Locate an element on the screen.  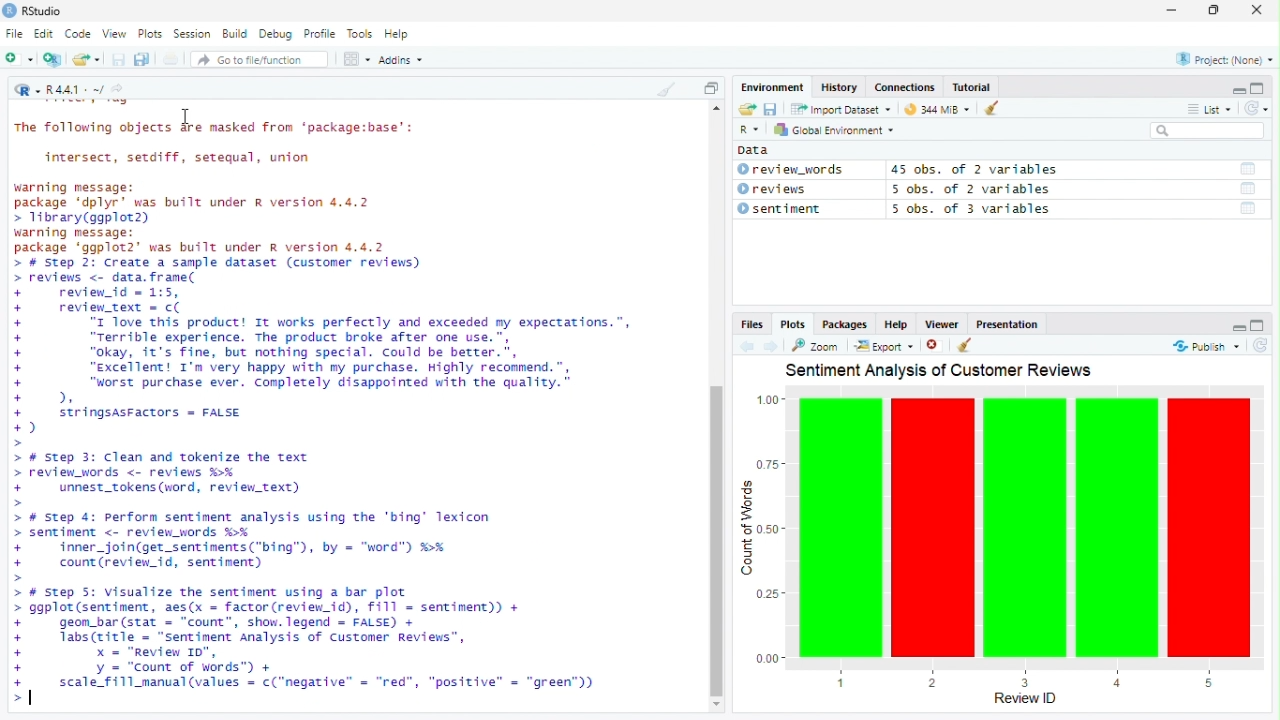
Date is located at coordinates (1248, 169).